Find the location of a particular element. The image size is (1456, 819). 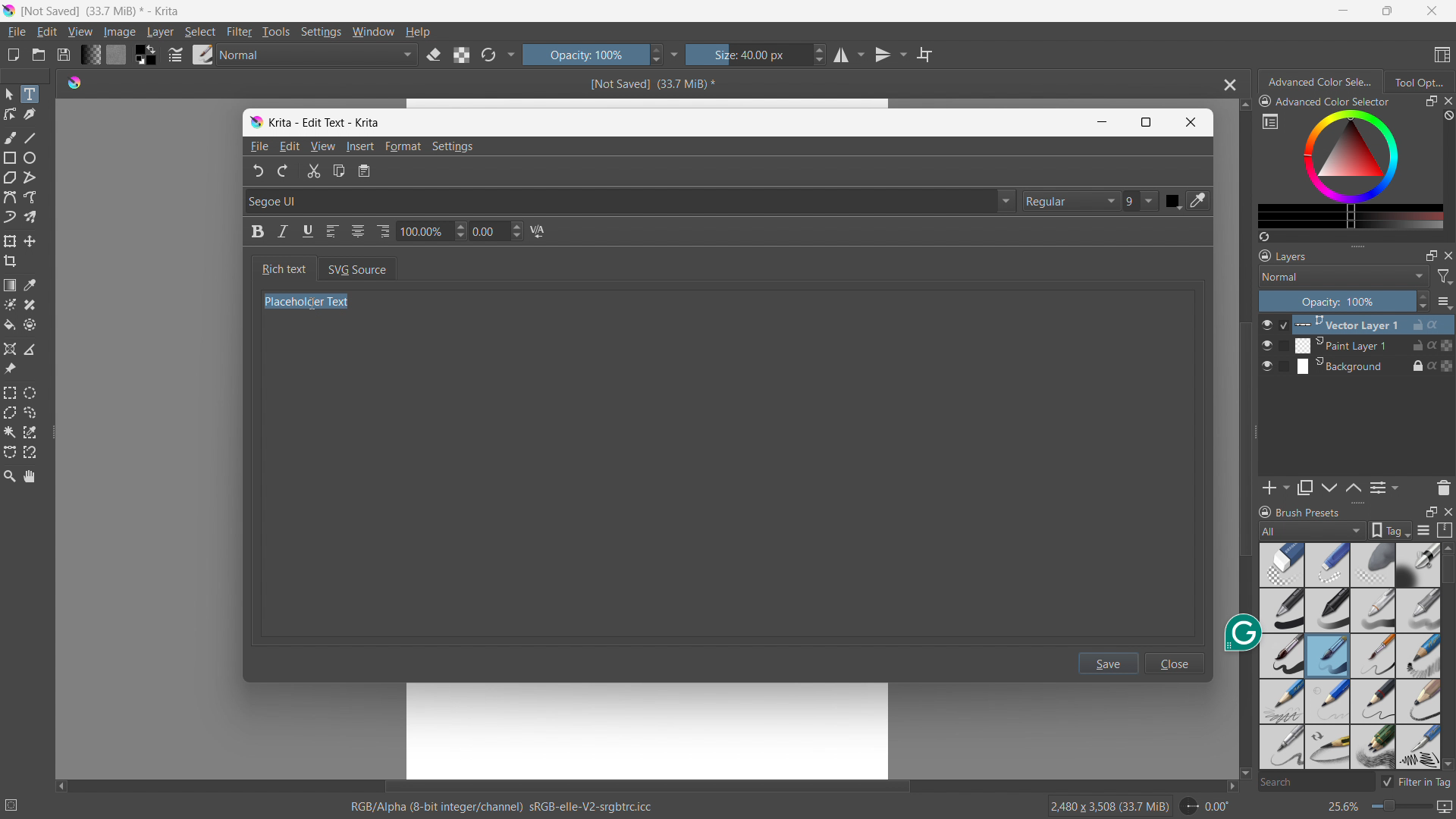

close document is located at coordinates (1226, 85).